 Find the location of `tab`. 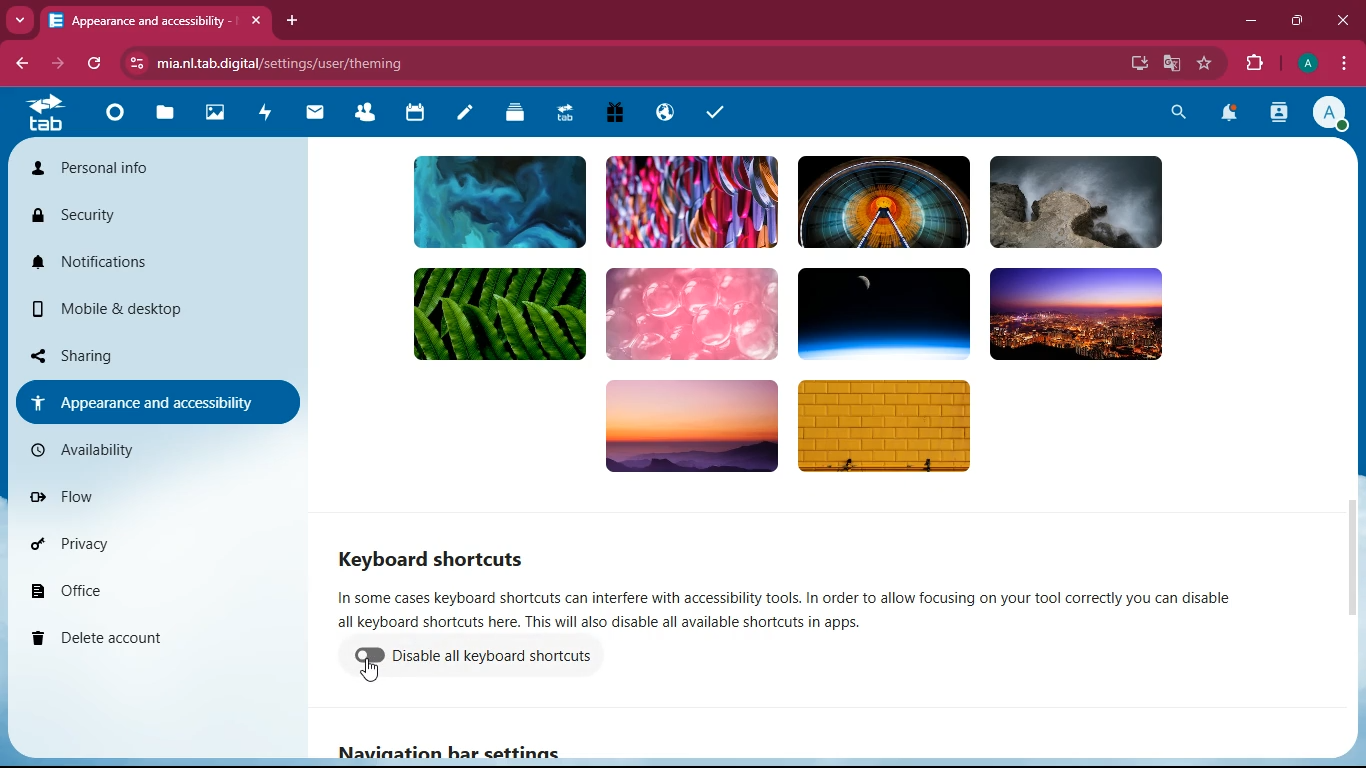

tab is located at coordinates (46, 112).